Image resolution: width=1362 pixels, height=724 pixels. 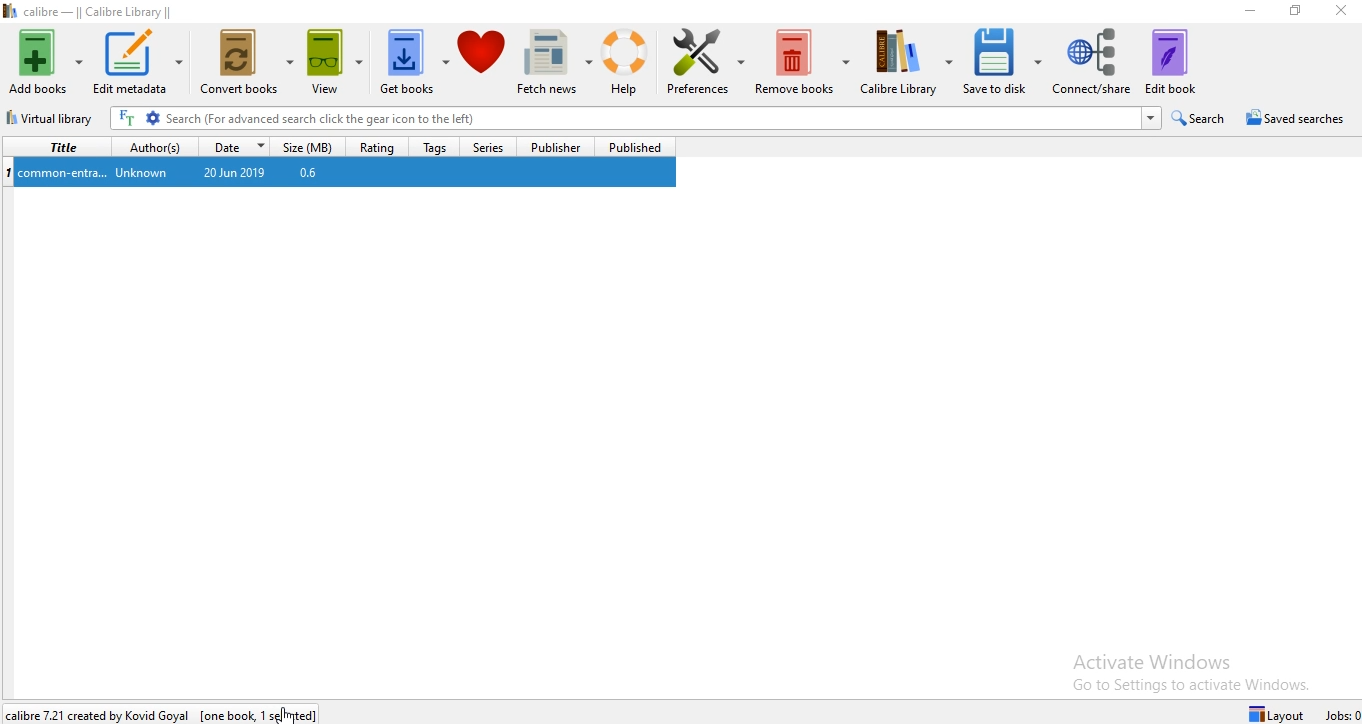 What do you see at coordinates (1183, 62) in the screenshot?
I see `Edit book` at bounding box center [1183, 62].